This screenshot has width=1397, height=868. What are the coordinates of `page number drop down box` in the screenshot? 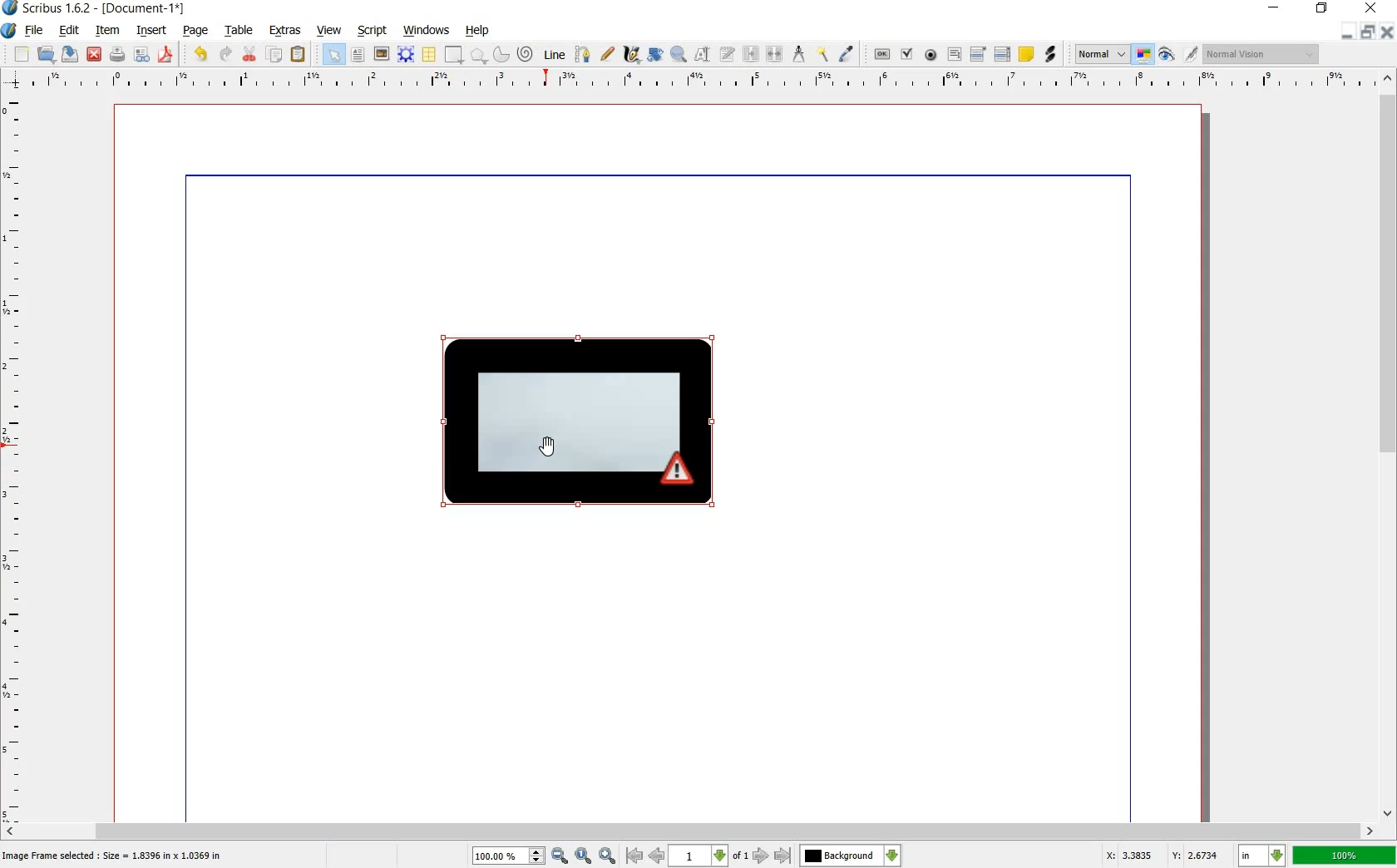 It's located at (708, 854).